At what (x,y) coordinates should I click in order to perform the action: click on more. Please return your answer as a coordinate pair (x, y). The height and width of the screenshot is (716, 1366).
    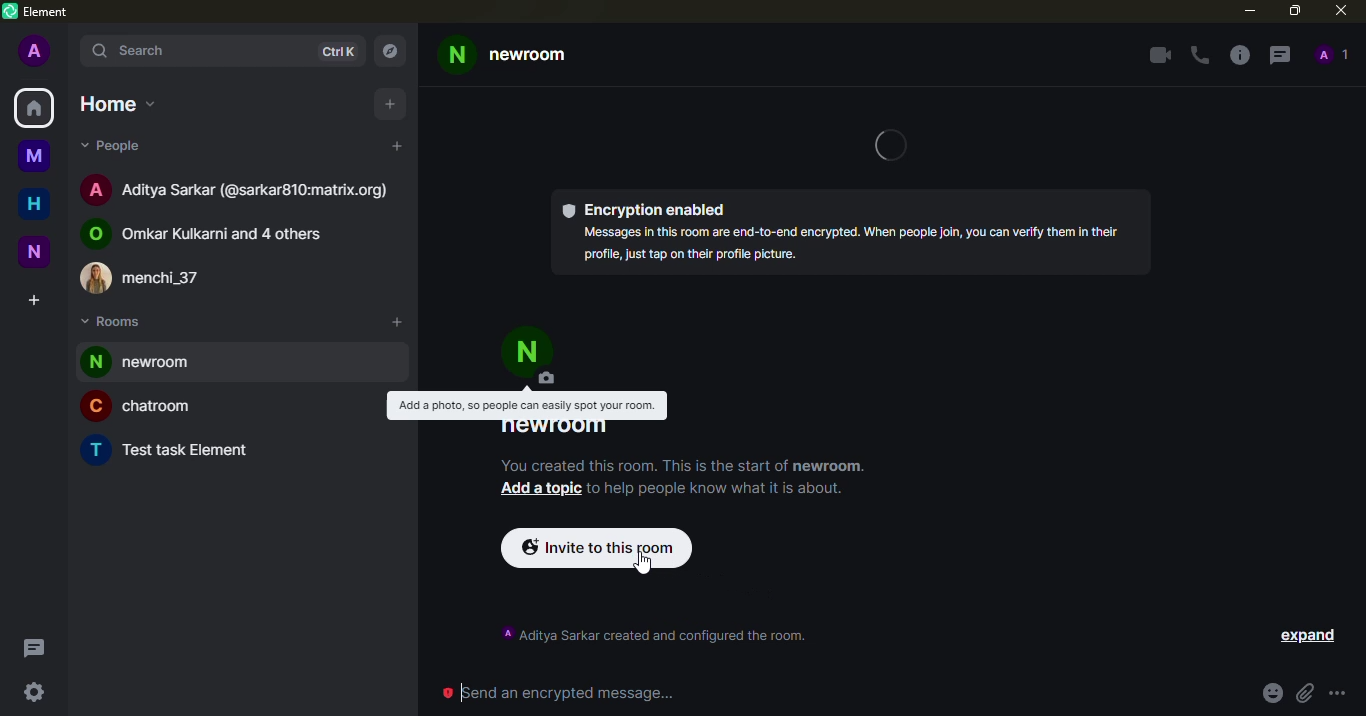
    Looking at the image, I should click on (1342, 695).